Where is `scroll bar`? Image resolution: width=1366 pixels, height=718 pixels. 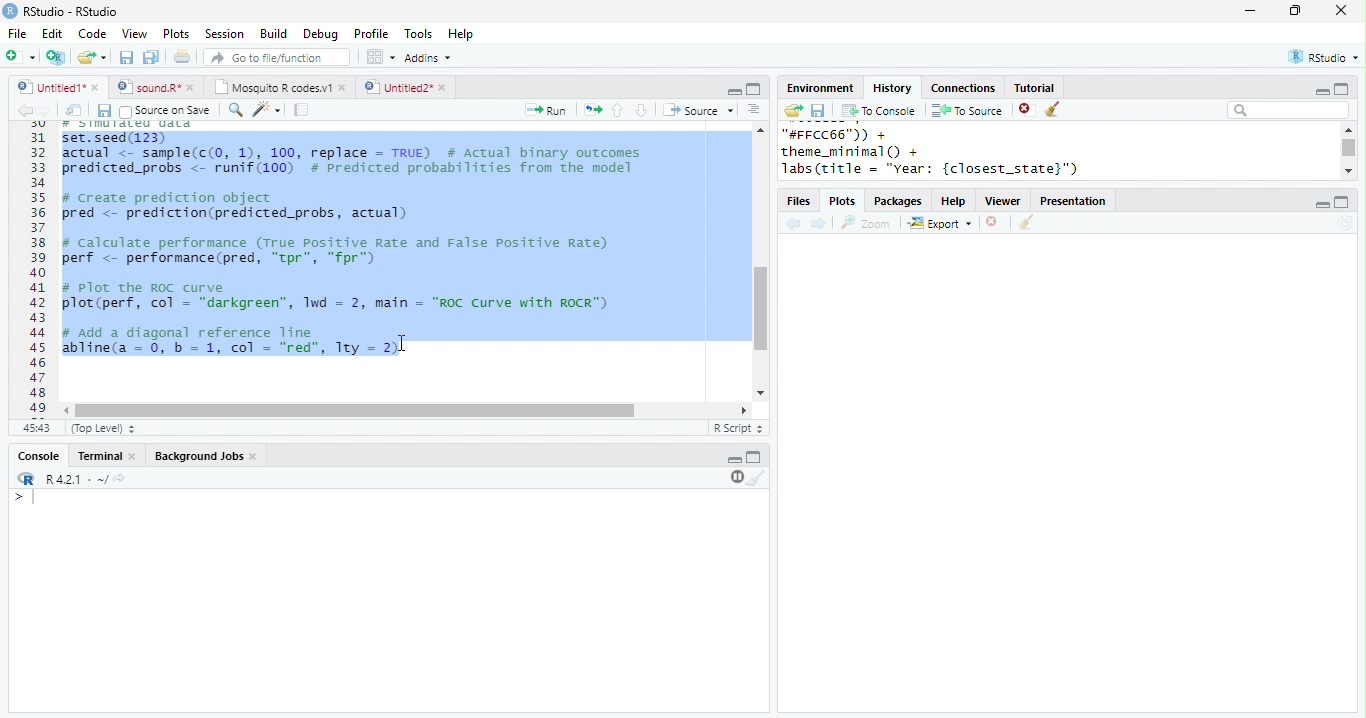 scroll bar is located at coordinates (761, 309).